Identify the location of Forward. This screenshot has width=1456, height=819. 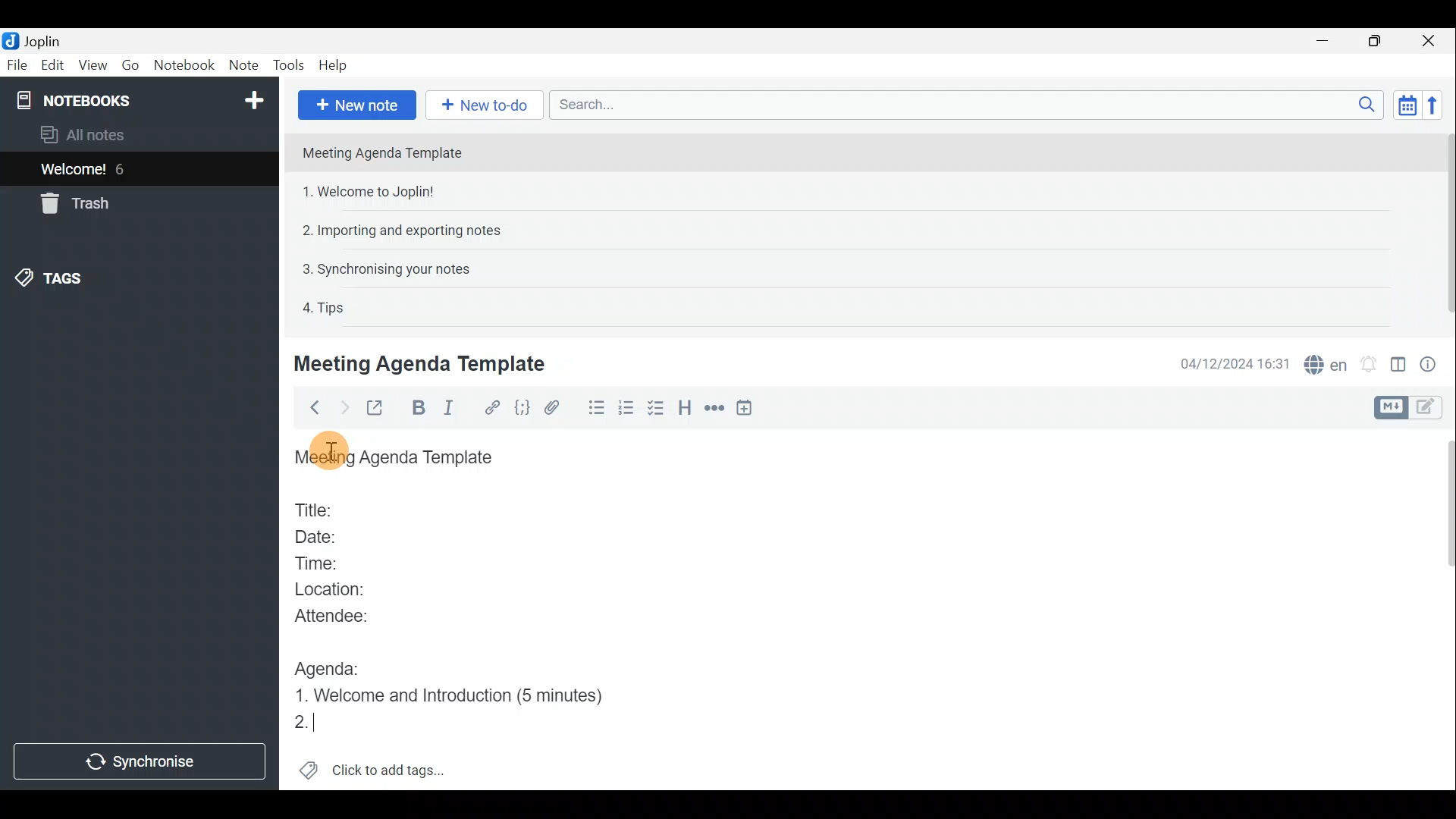
(342, 407).